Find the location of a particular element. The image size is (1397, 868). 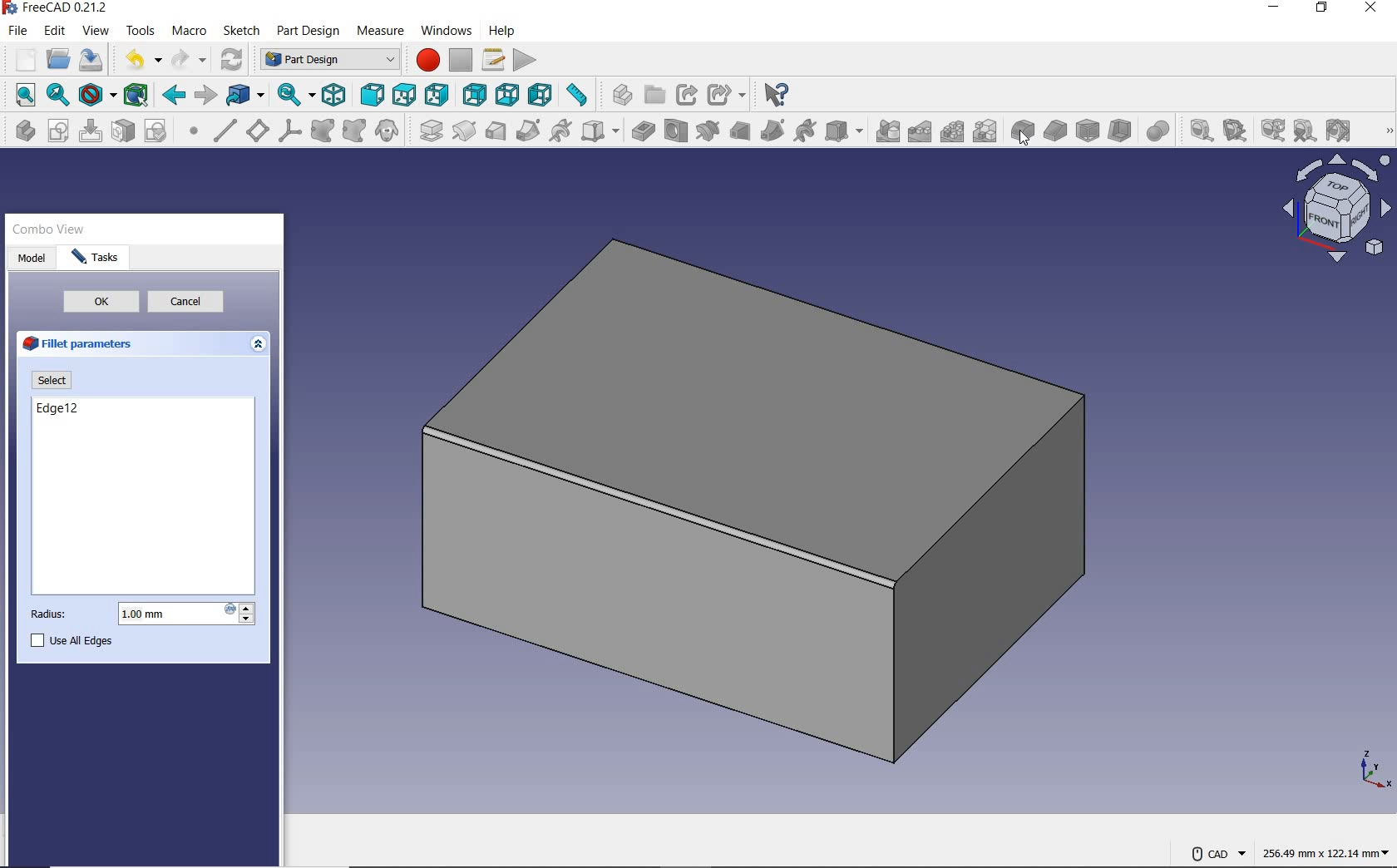

create a subtractive primitive is located at coordinates (845, 130).